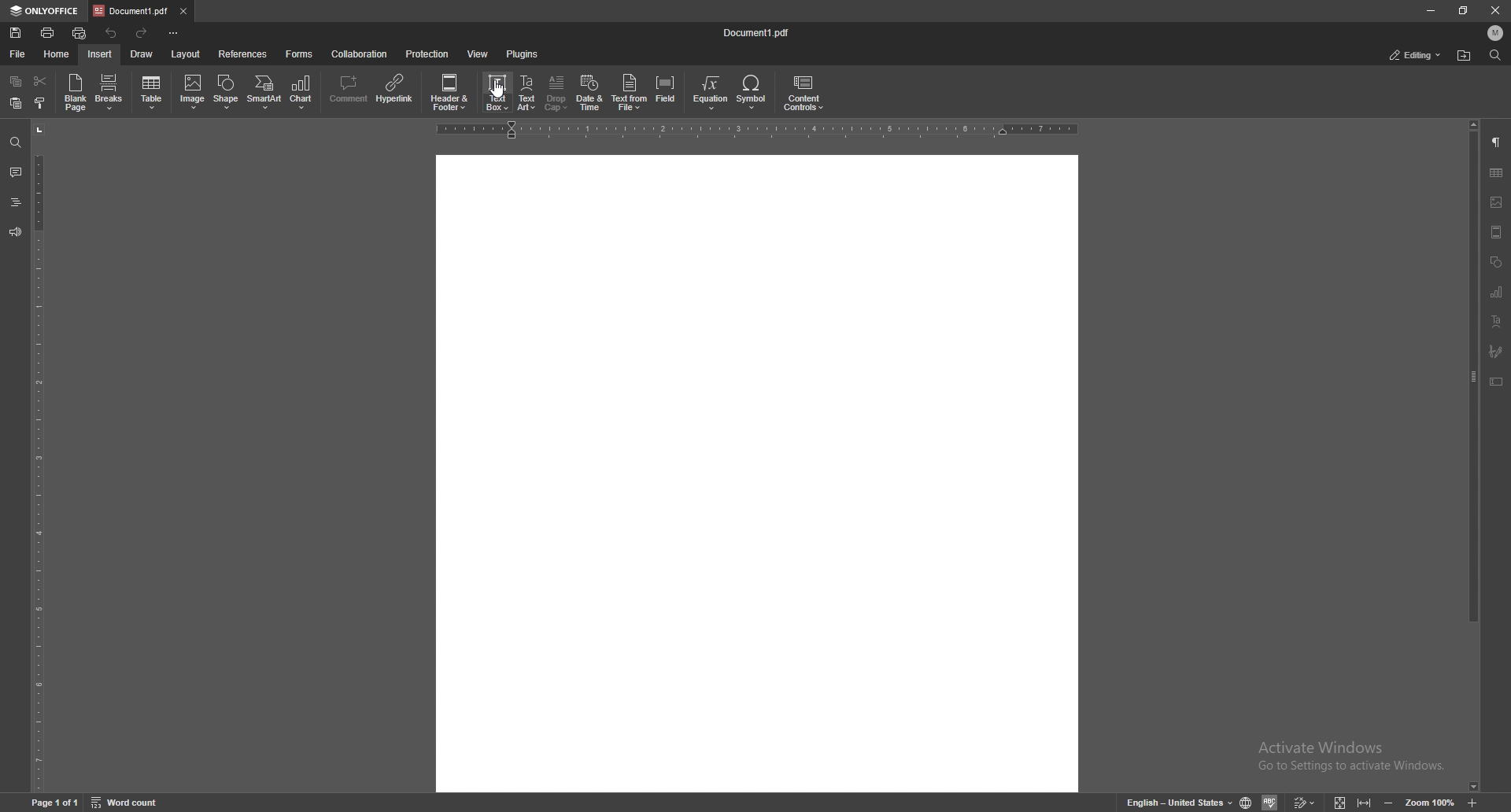  What do you see at coordinates (589, 93) in the screenshot?
I see `date and time` at bounding box center [589, 93].